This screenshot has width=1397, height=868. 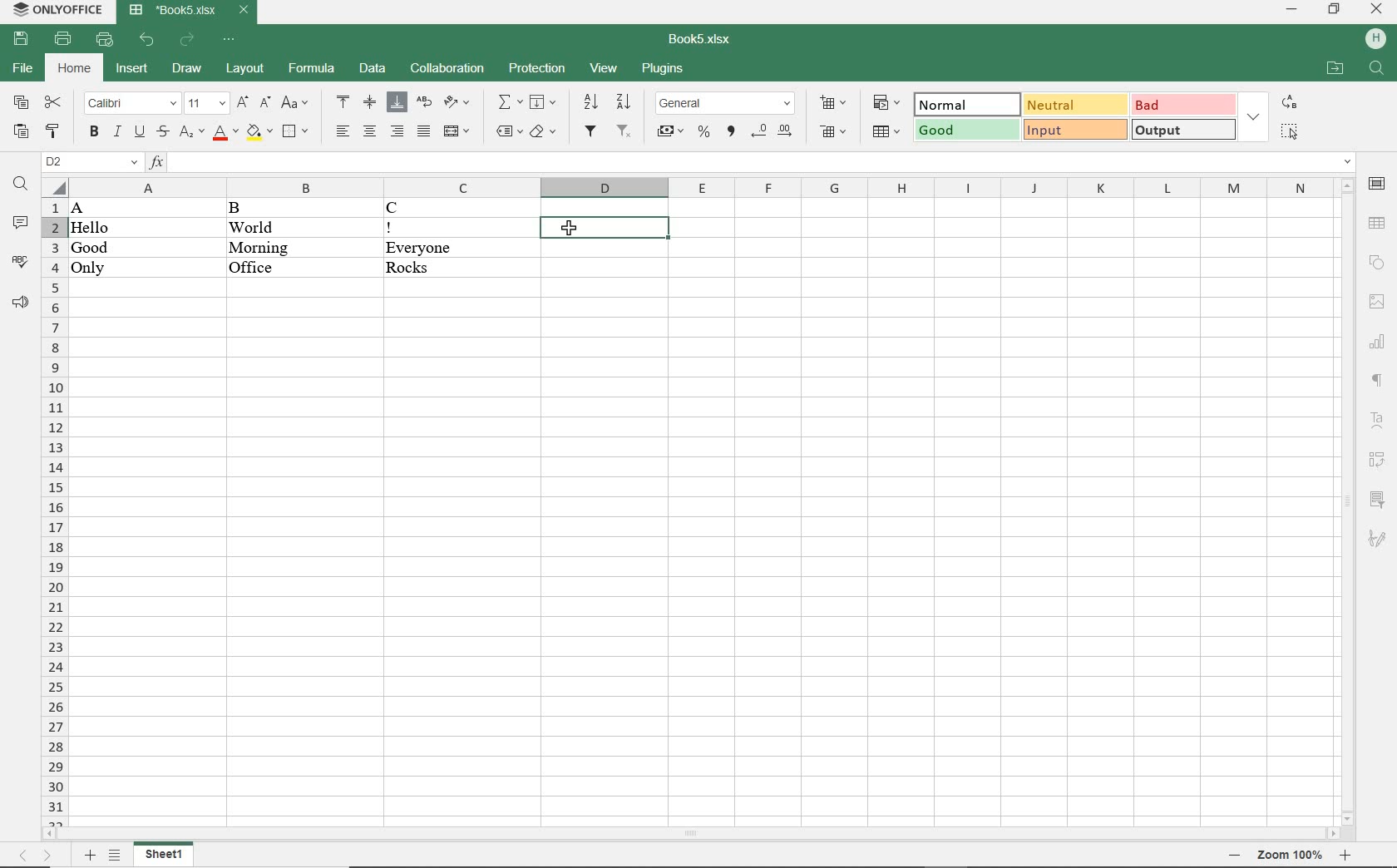 I want to click on SCROLLBAR, so click(x=690, y=831).